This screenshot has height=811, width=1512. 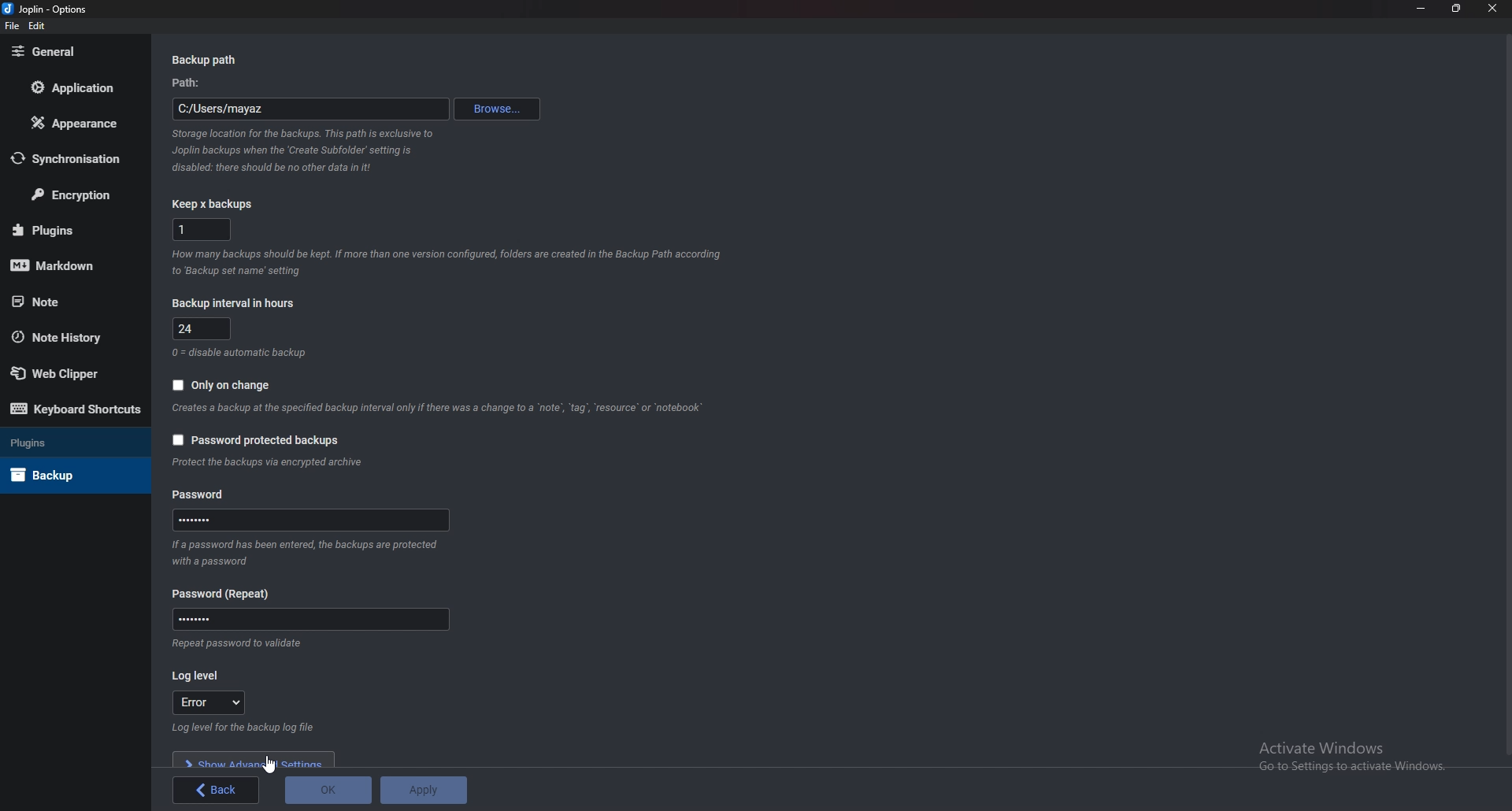 What do you see at coordinates (75, 158) in the screenshot?
I see `Synchronization` at bounding box center [75, 158].